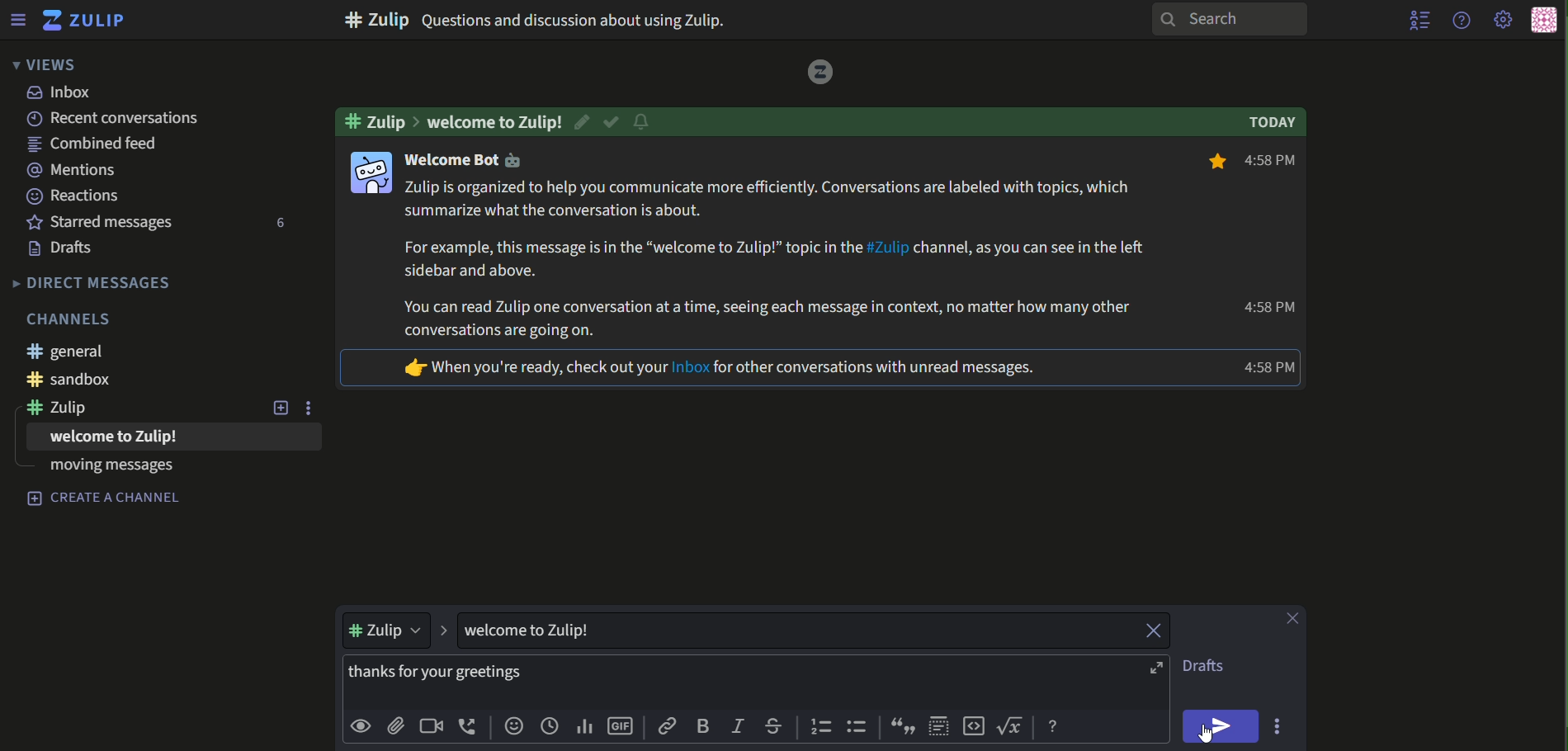  What do you see at coordinates (63, 93) in the screenshot?
I see `text` at bounding box center [63, 93].